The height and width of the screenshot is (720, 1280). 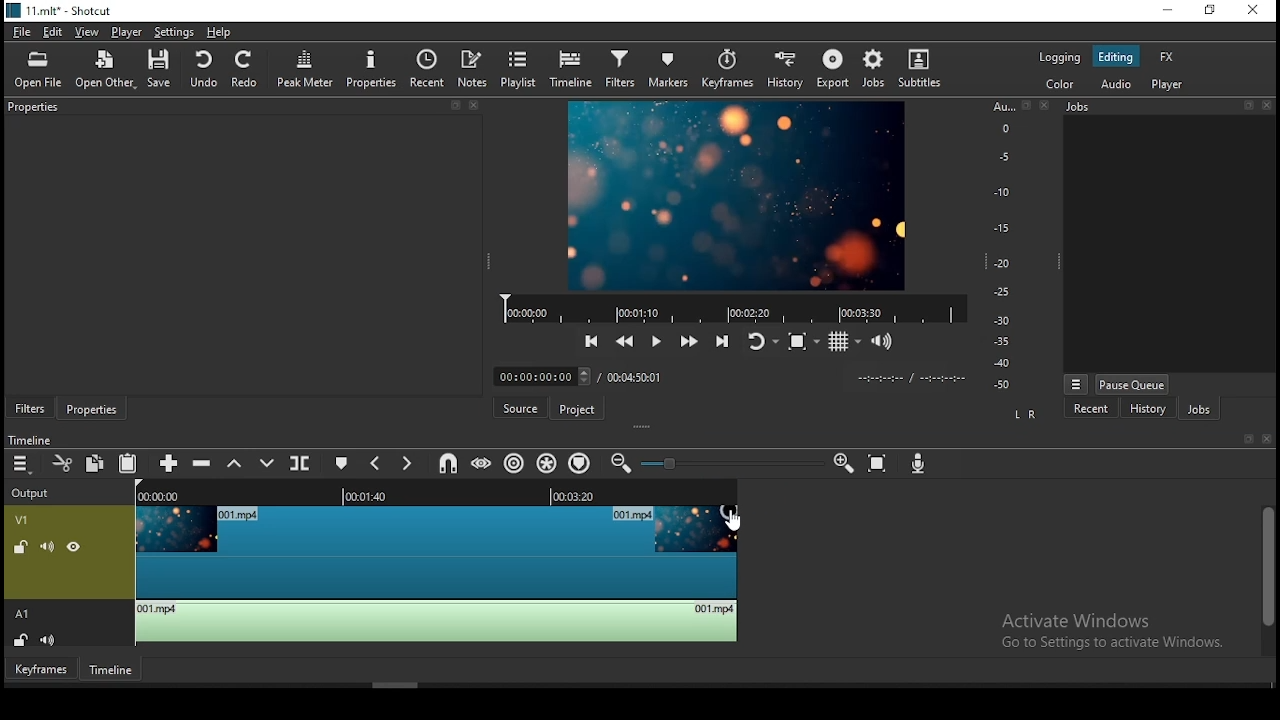 What do you see at coordinates (370, 497) in the screenshot?
I see `played time` at bounding box center [370, 497].